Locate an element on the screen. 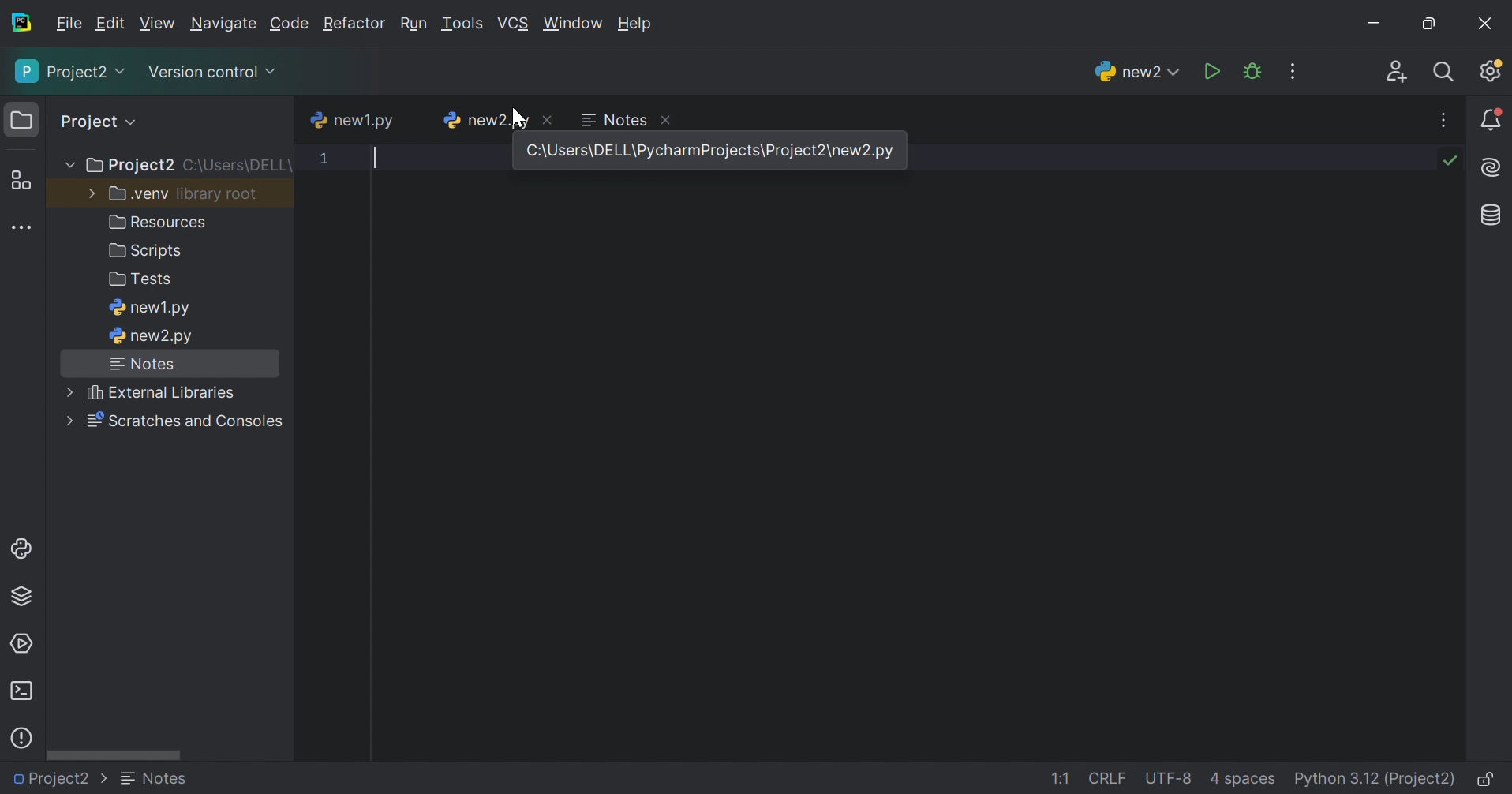  Close is located at coordinates (551, 118).